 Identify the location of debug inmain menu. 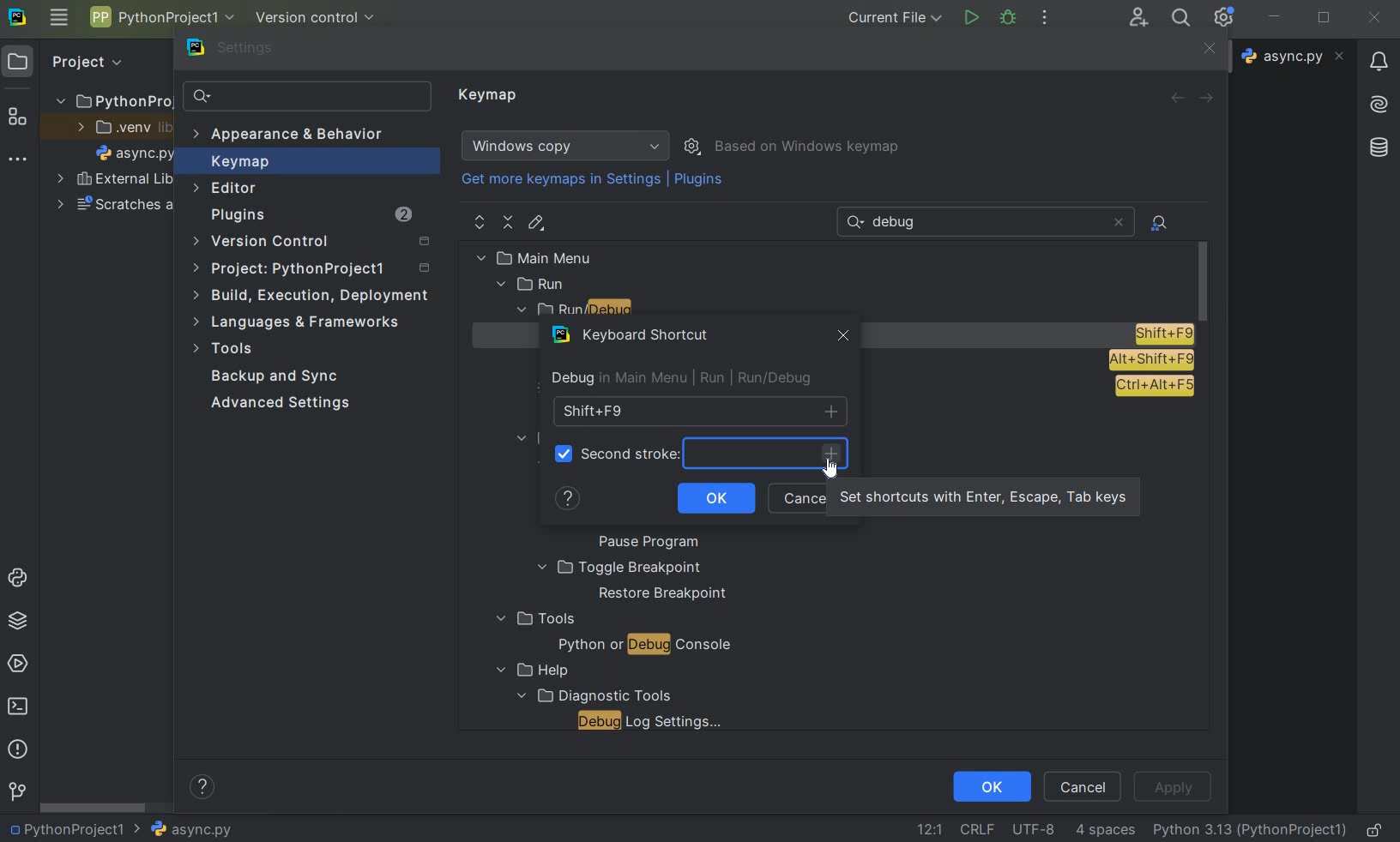
(615, 379).